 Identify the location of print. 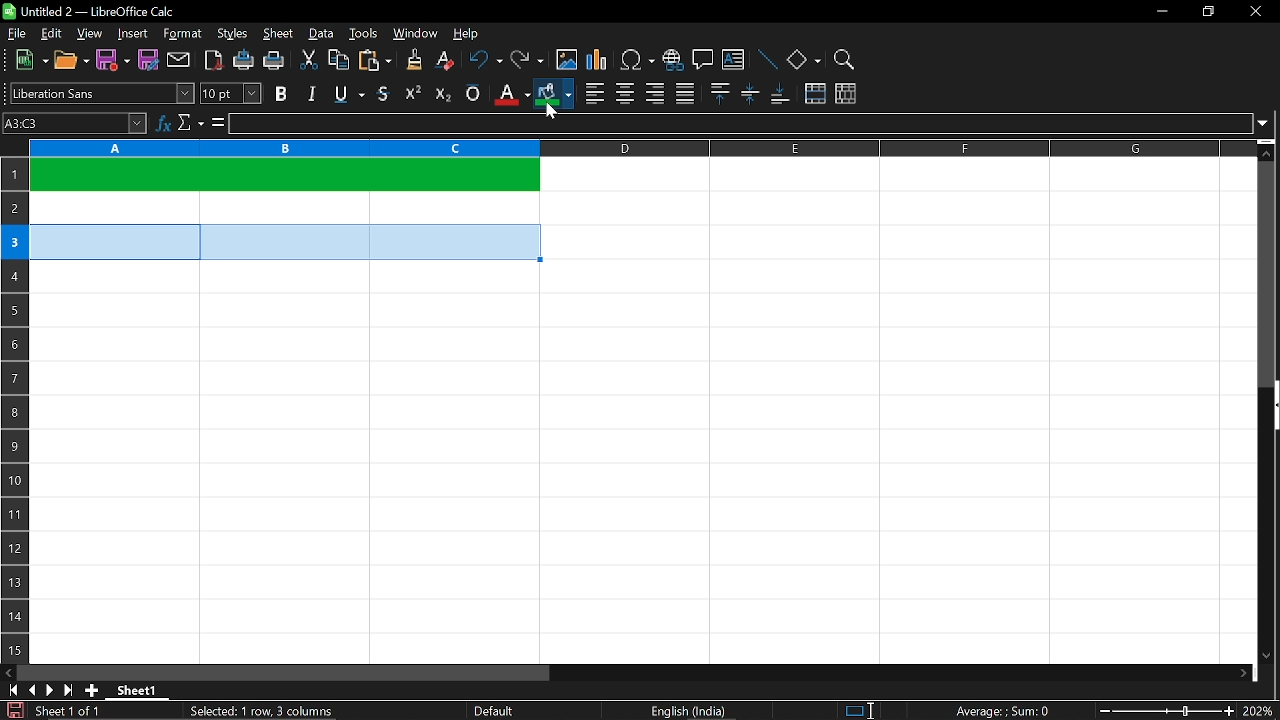
(275, 61).